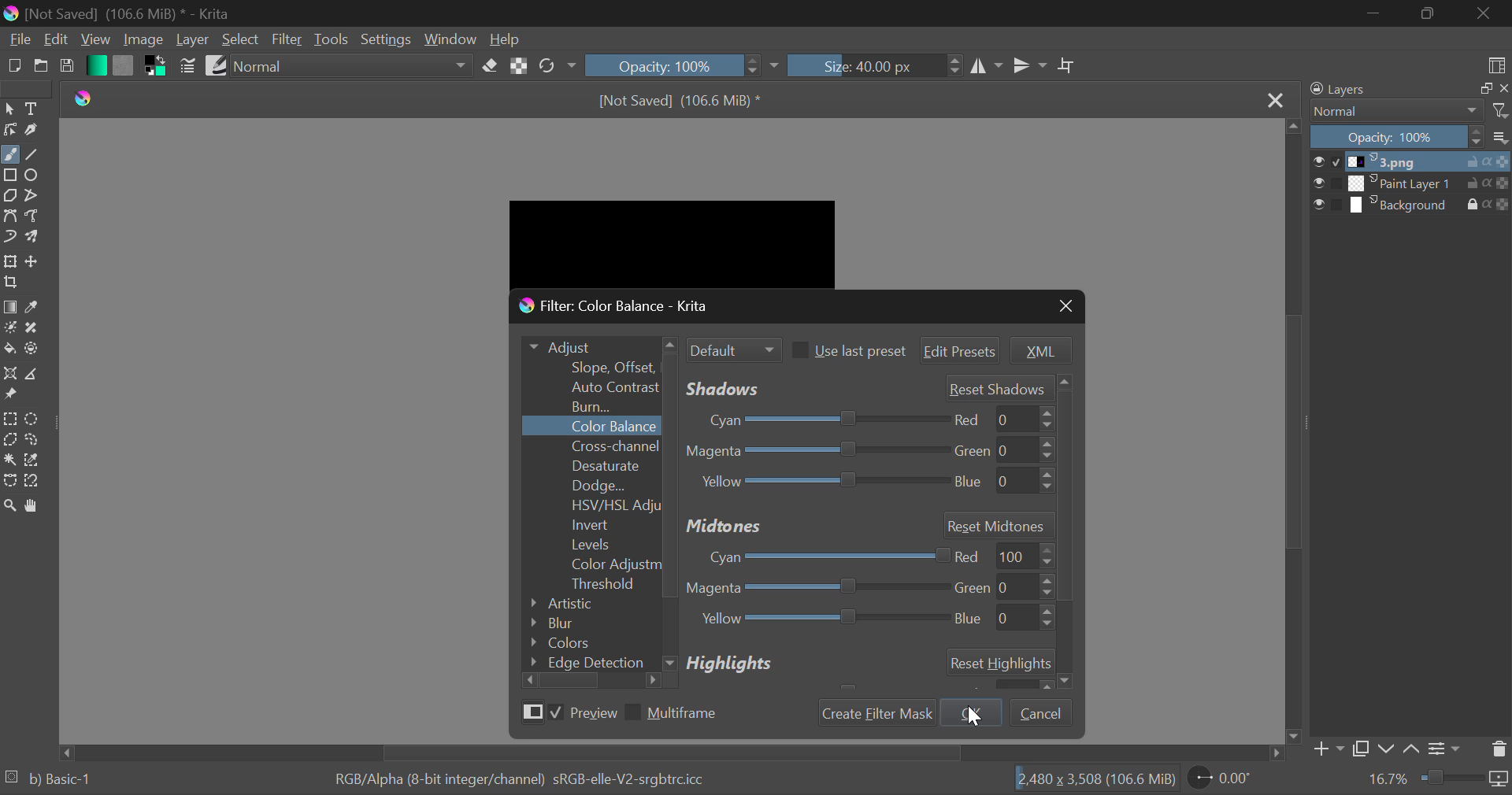 The image size is (1512, 795). Describe the element at coordinates (95, 41) in the screenshot. I see `View` at that location.